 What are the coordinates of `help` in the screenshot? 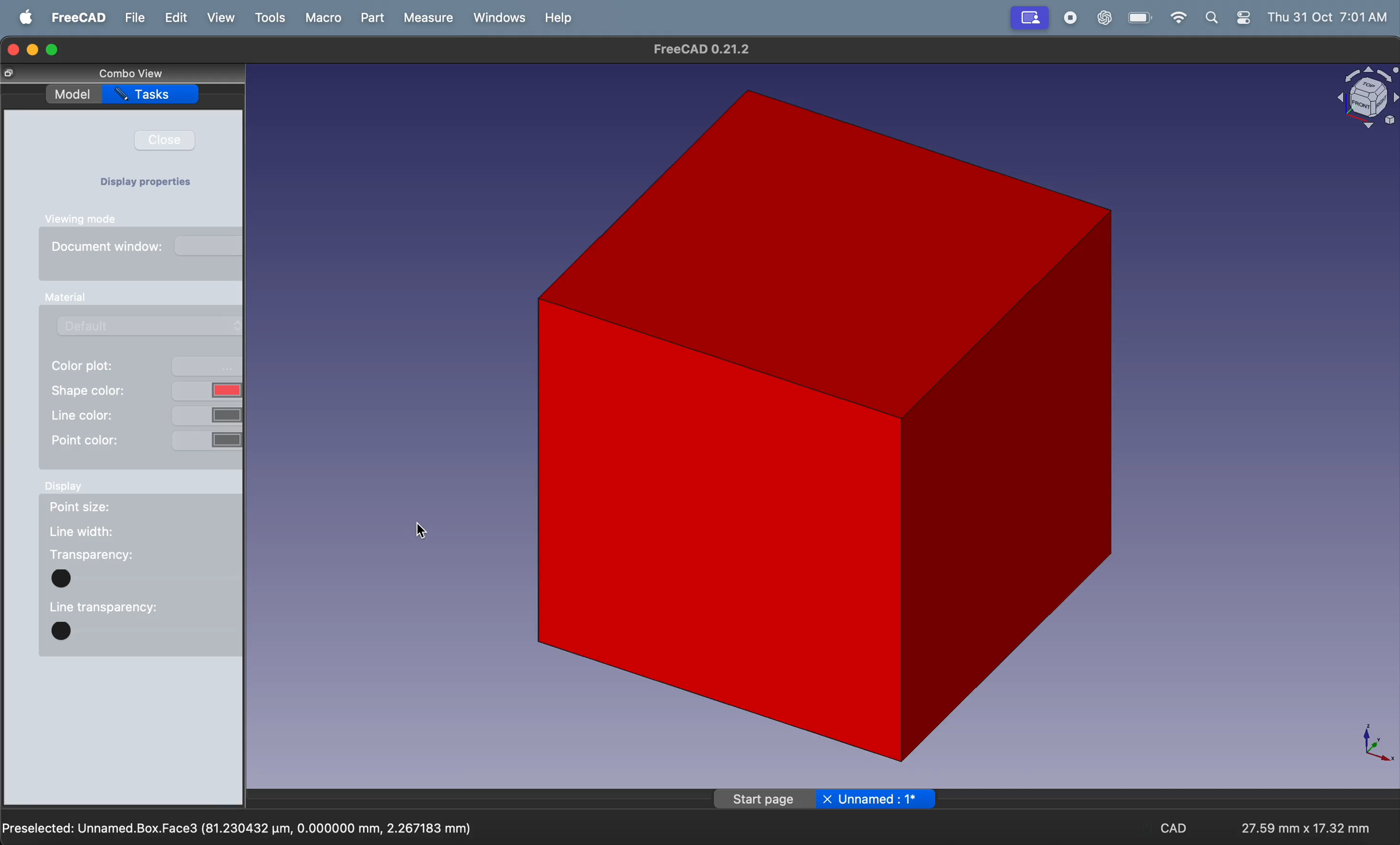 It's located at (558, 17).